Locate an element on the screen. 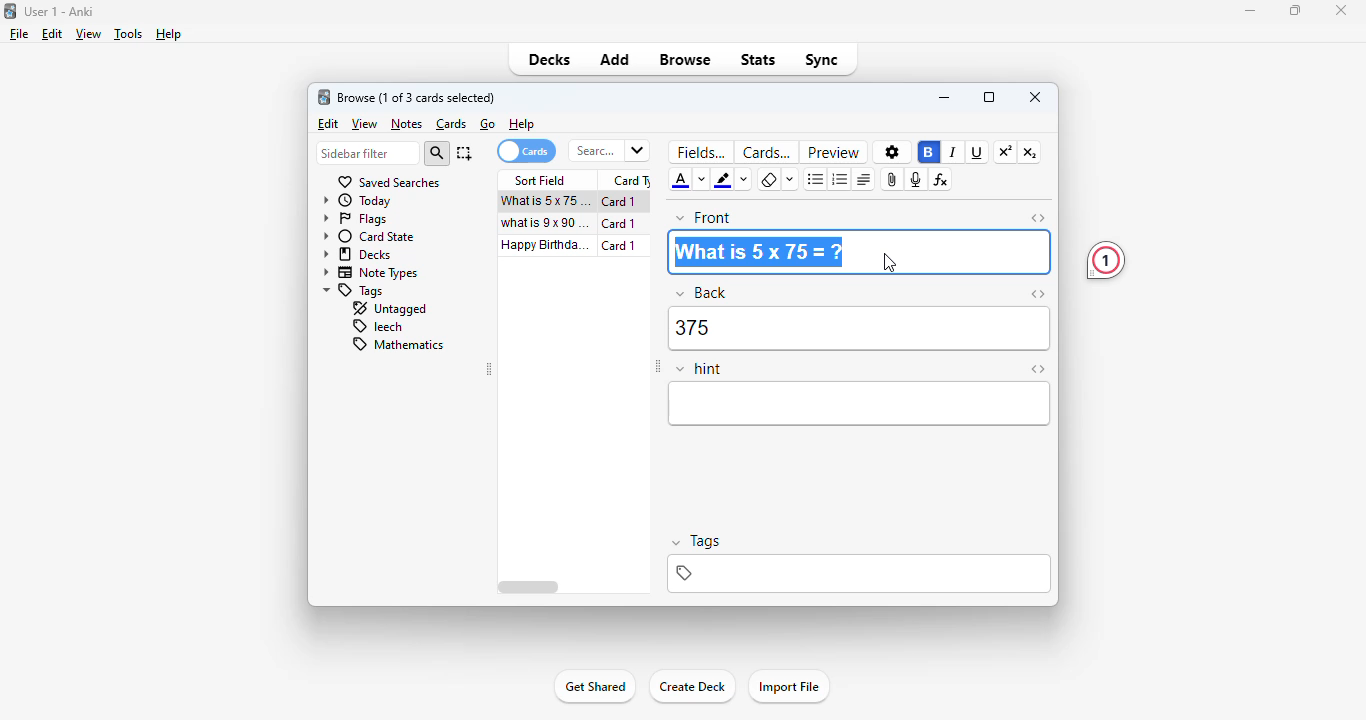 The image size is (1366, 720). sync is located at coordinates (820, 62).